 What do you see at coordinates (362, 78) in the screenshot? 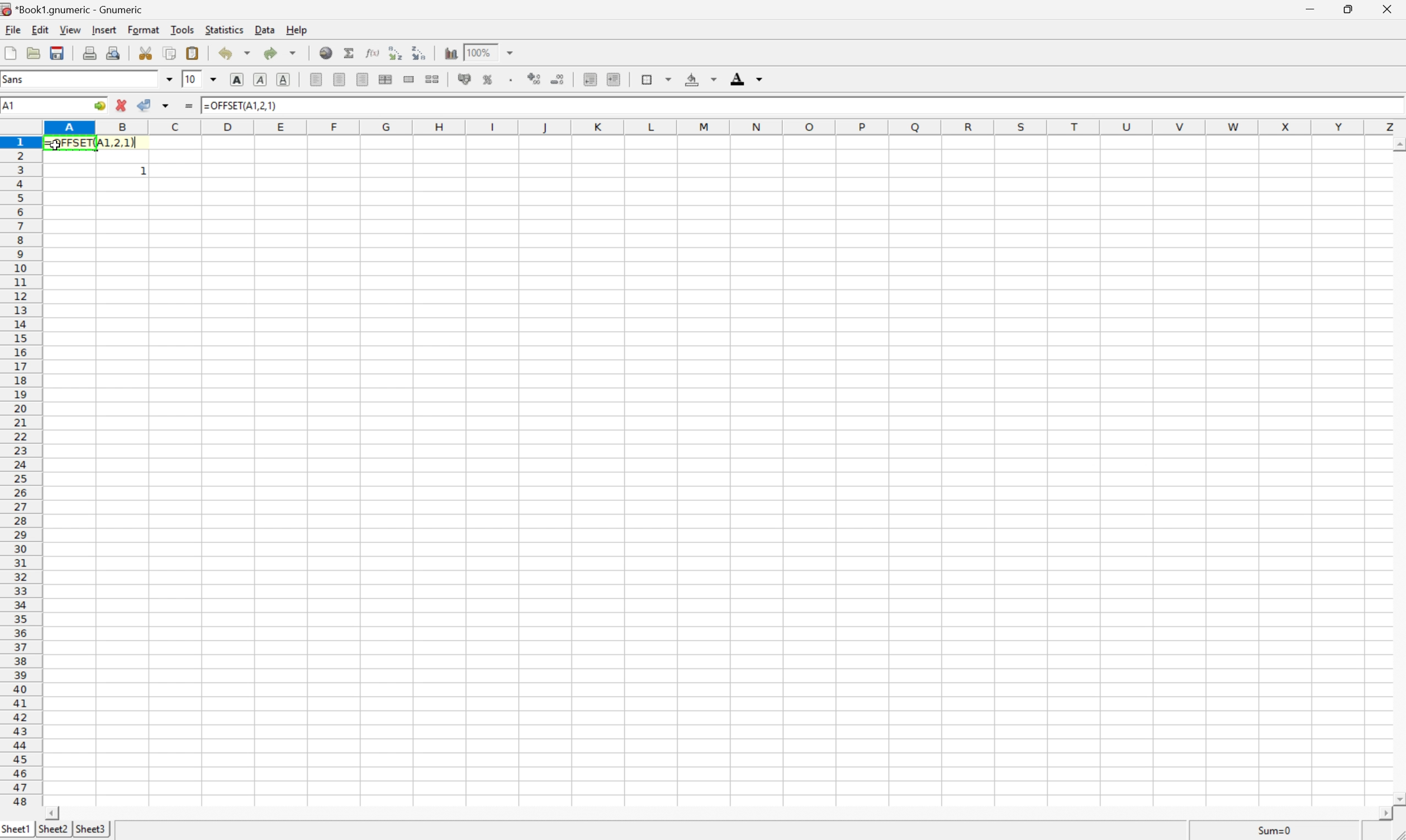
I see `Align Right` at bounding box center [362, 78].